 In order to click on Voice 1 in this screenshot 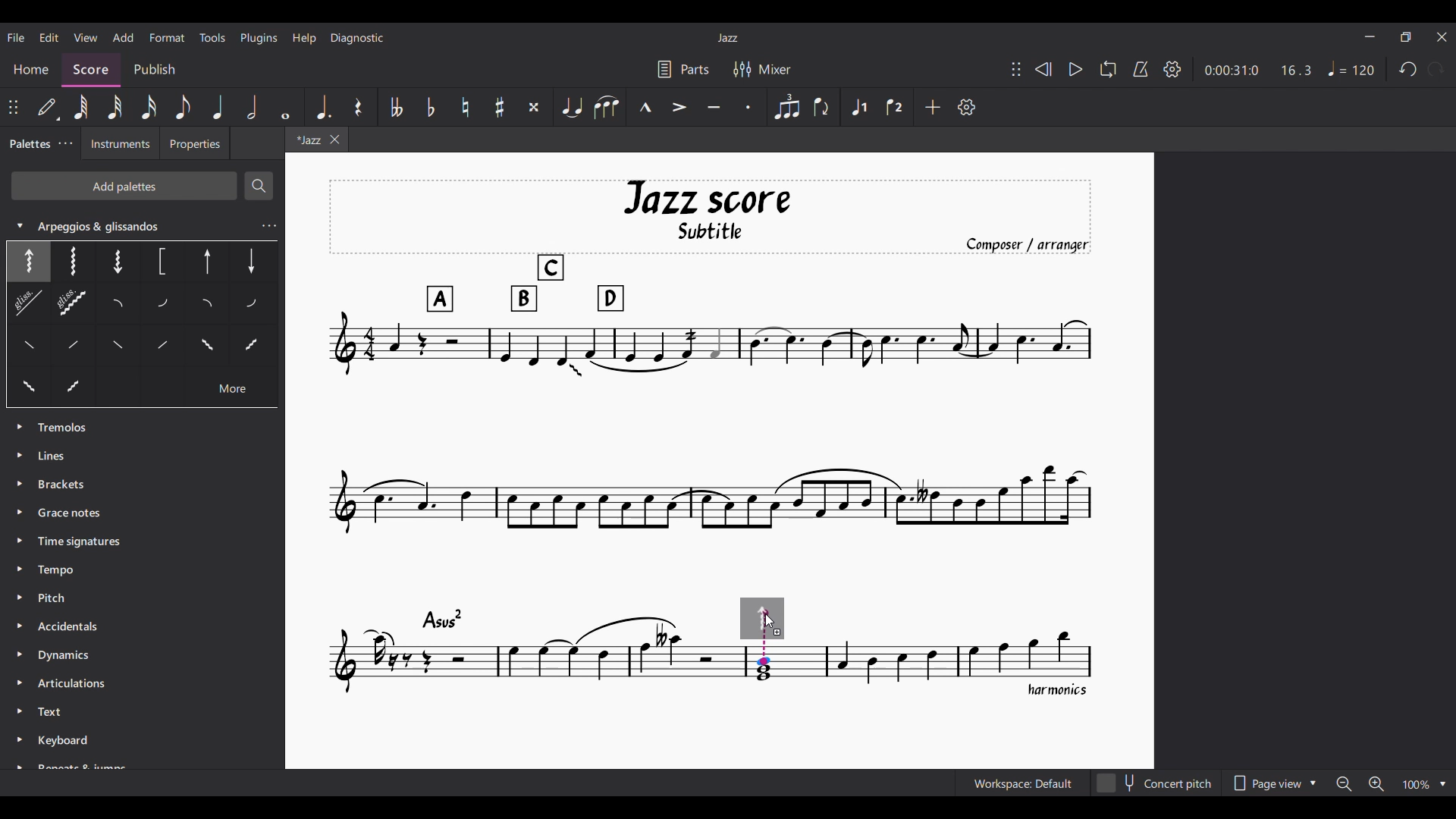, I will do `click(858, 107)`.